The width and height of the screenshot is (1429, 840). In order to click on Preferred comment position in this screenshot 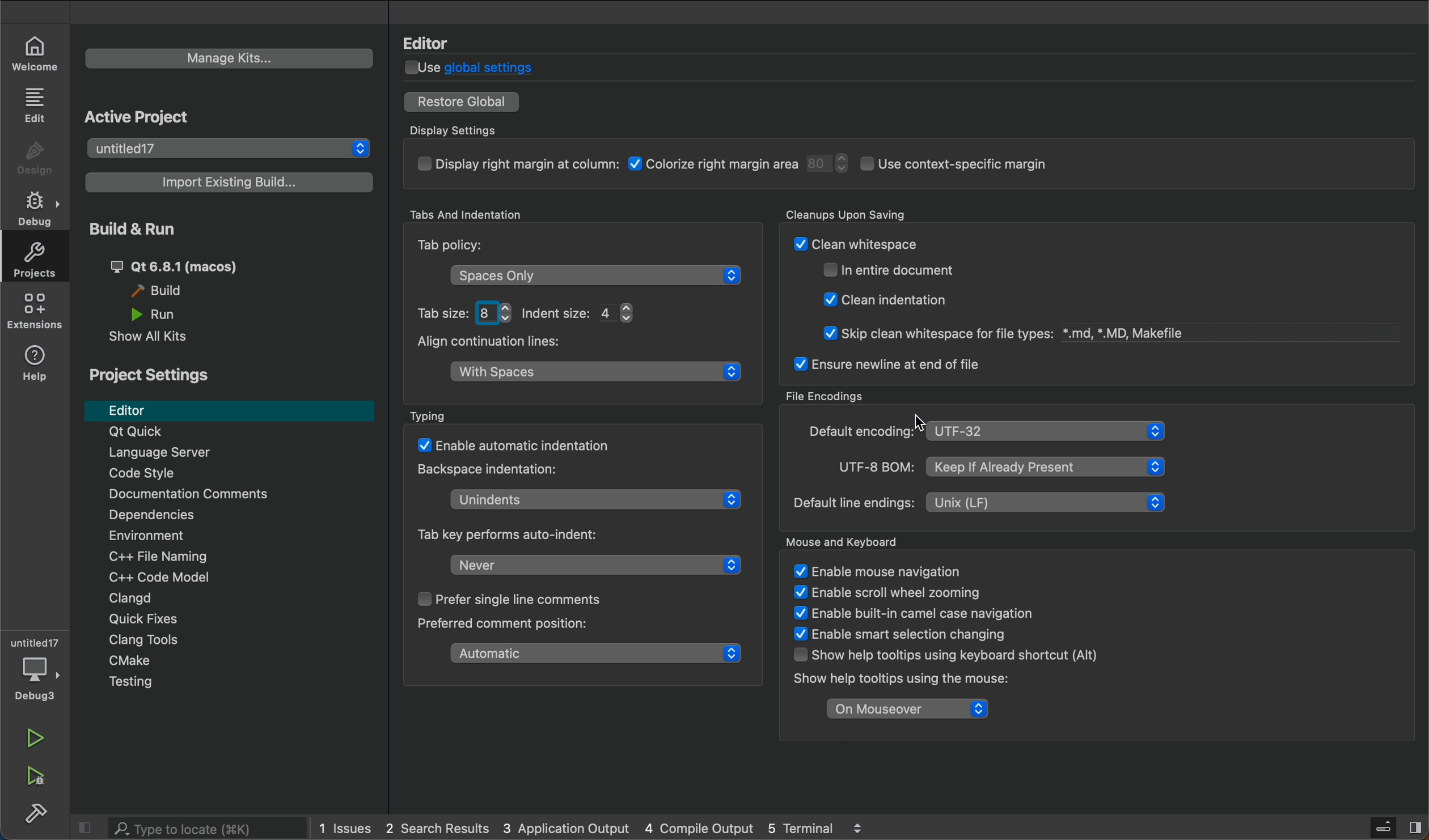, I will do `click(526, 627)`.